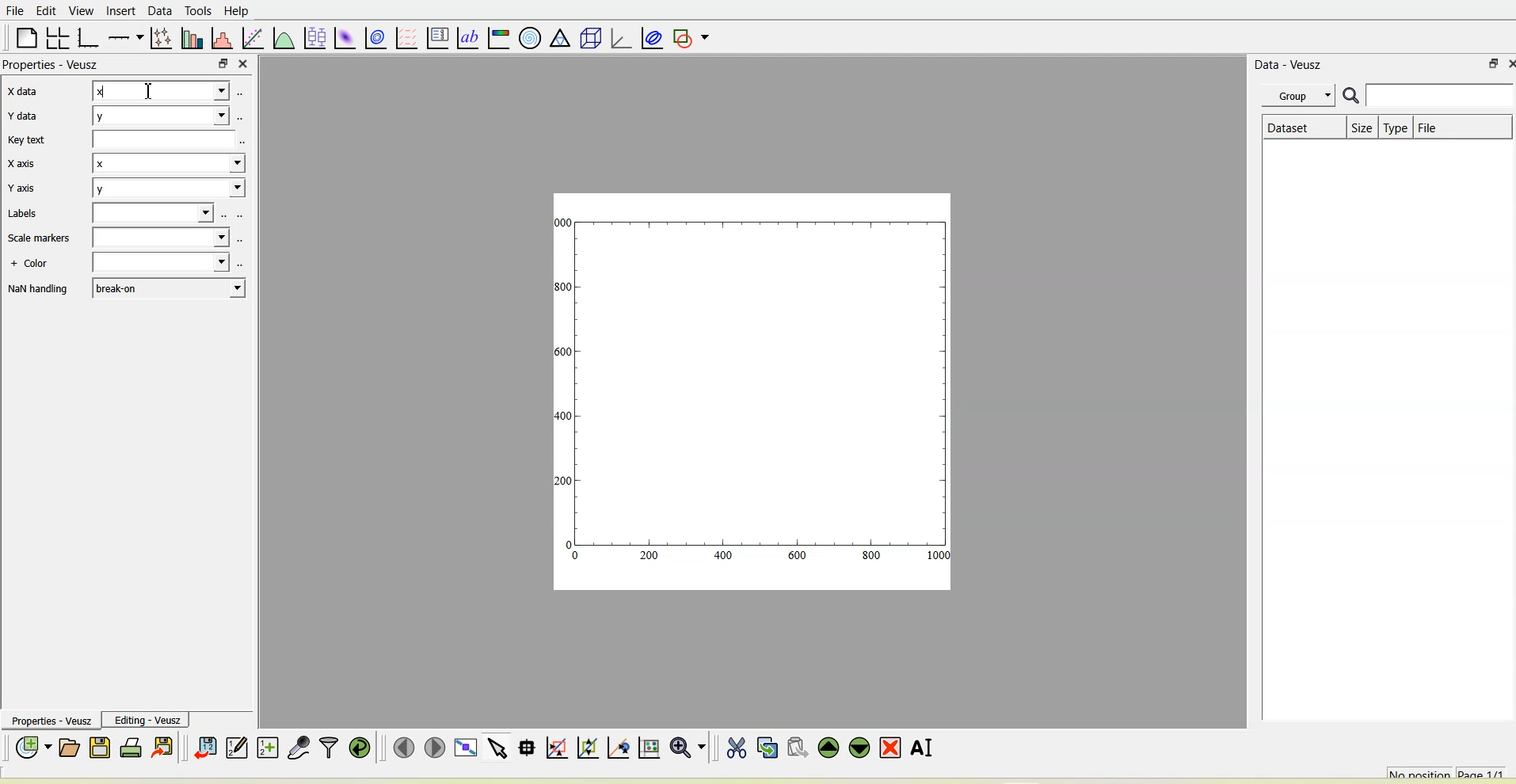 This screenshot has height=784, width=1516. Describe the element at coordinates (170, 164) in the screenshot. I see `x` at that location.